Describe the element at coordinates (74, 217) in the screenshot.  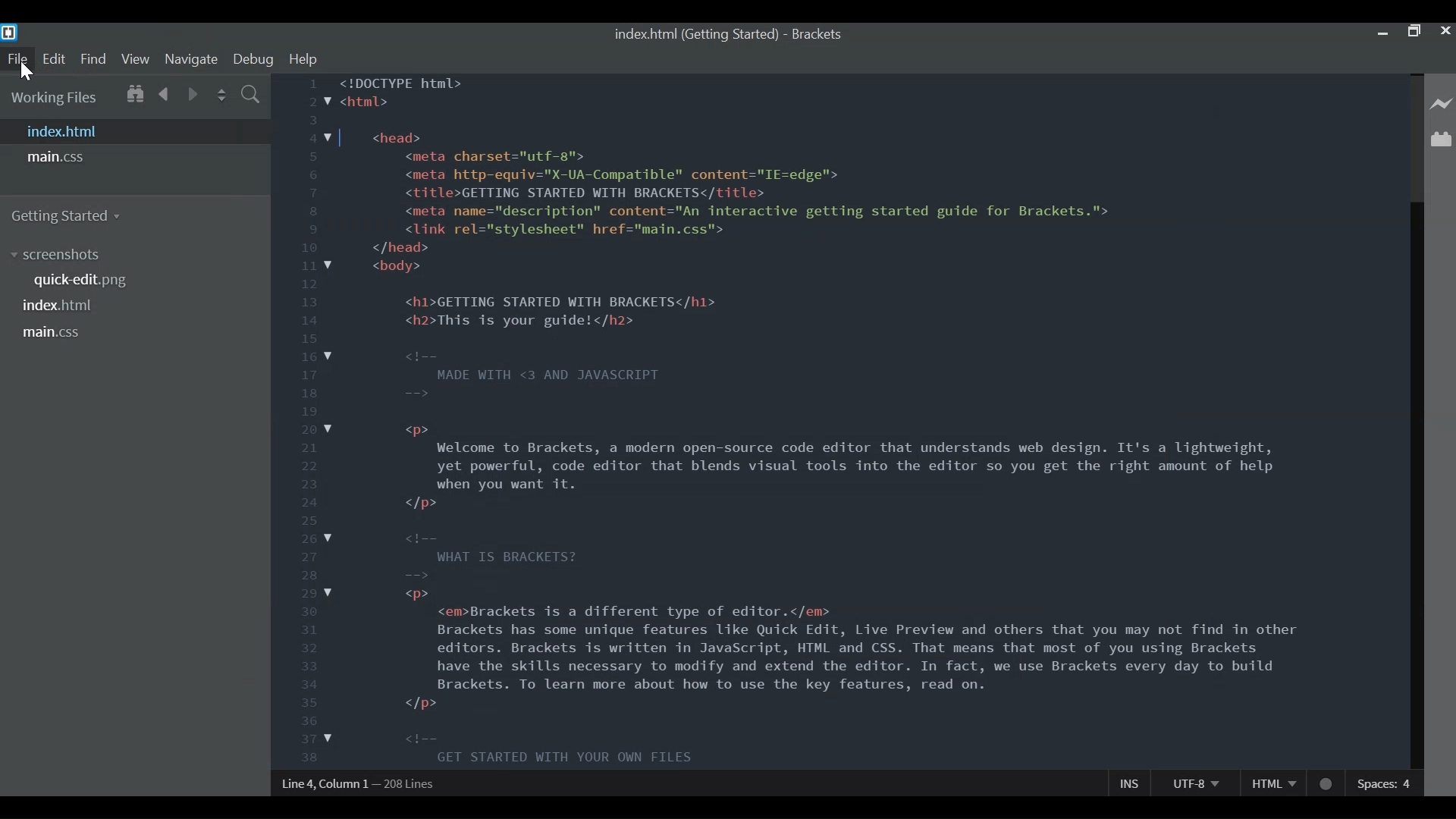
I see `Getting Started` at that location.